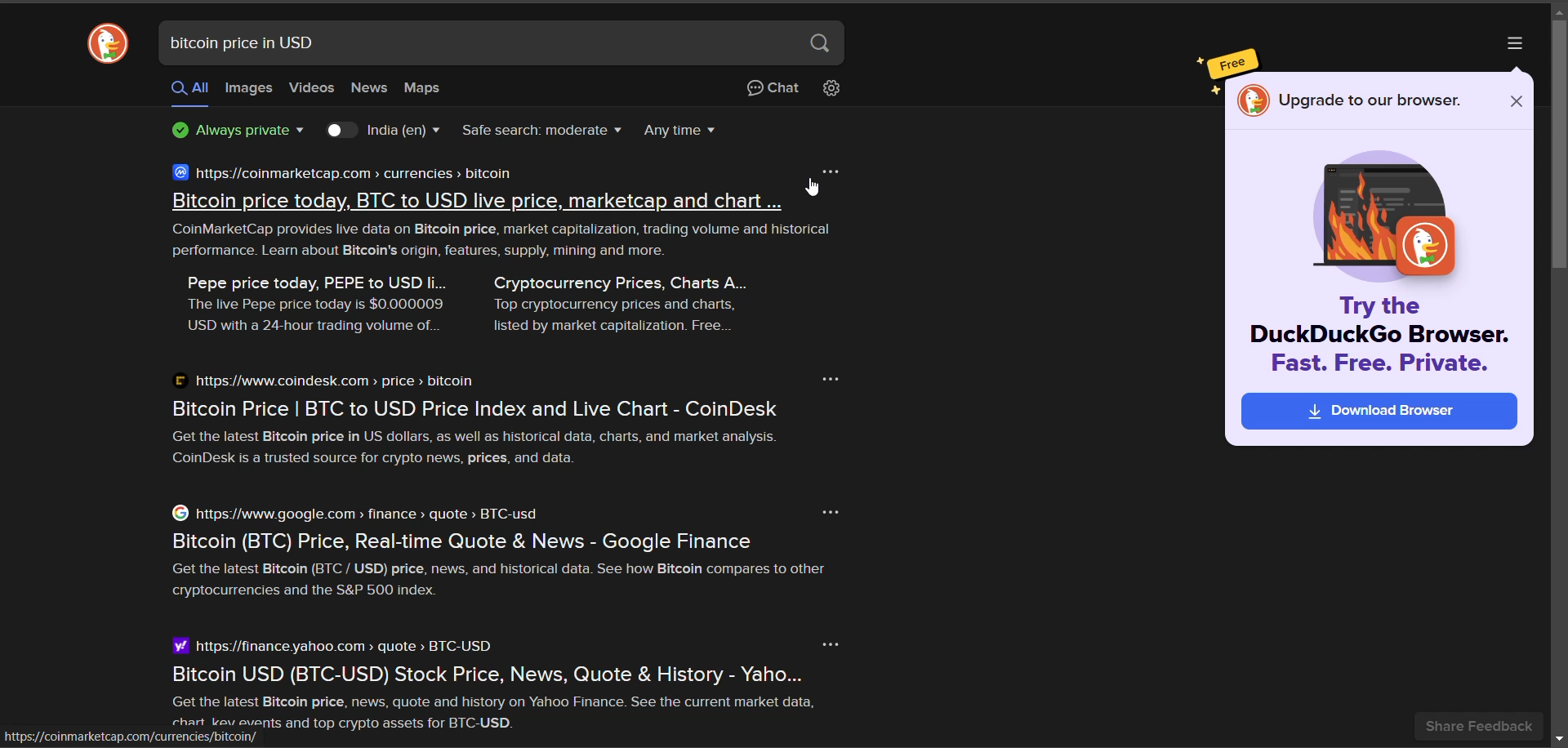 The height and width of the screenshot is (748, 1568). I want to click on more option, so click(831, 378).